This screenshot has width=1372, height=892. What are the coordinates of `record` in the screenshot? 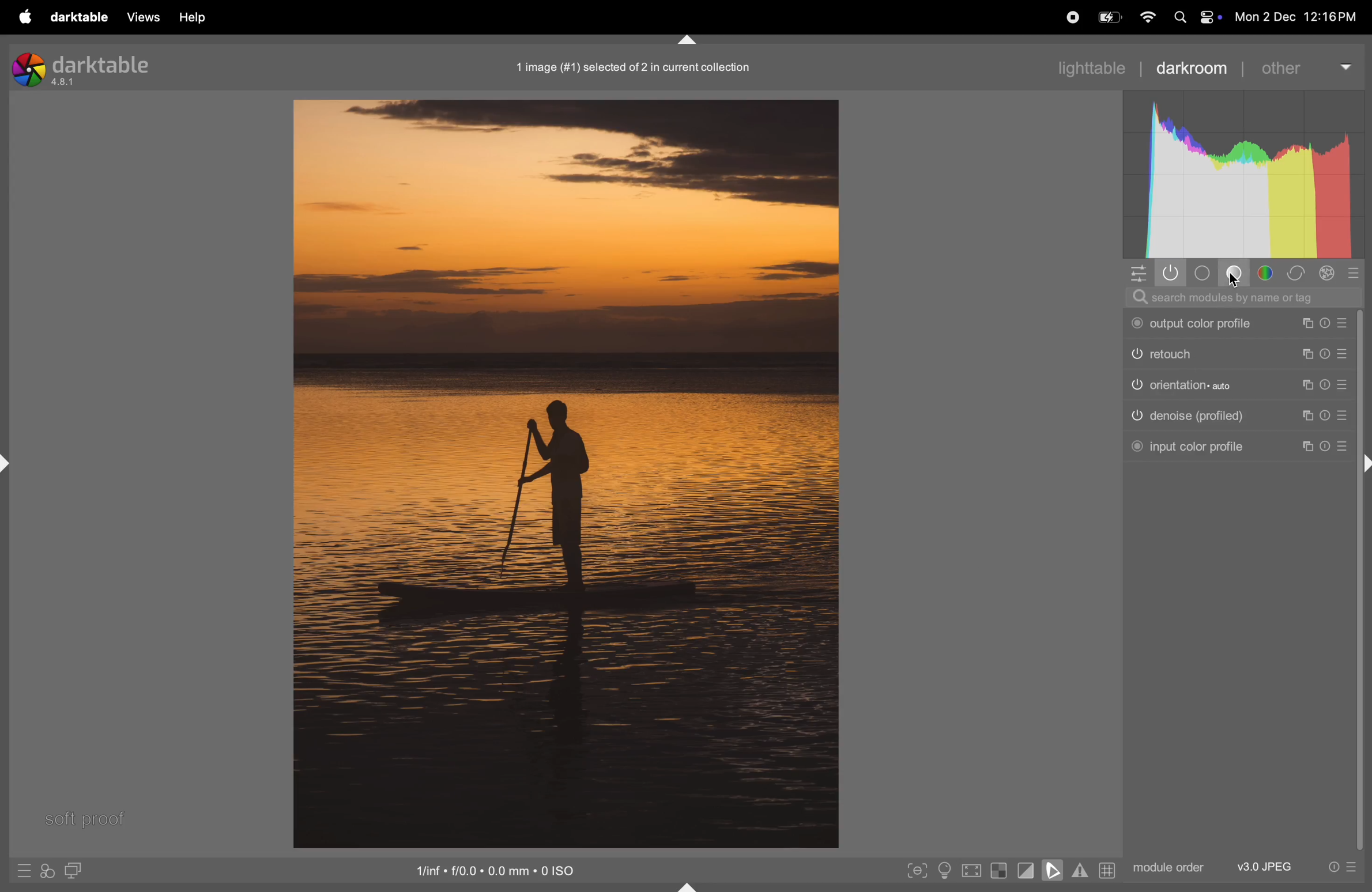 It's located at (1069, 16).